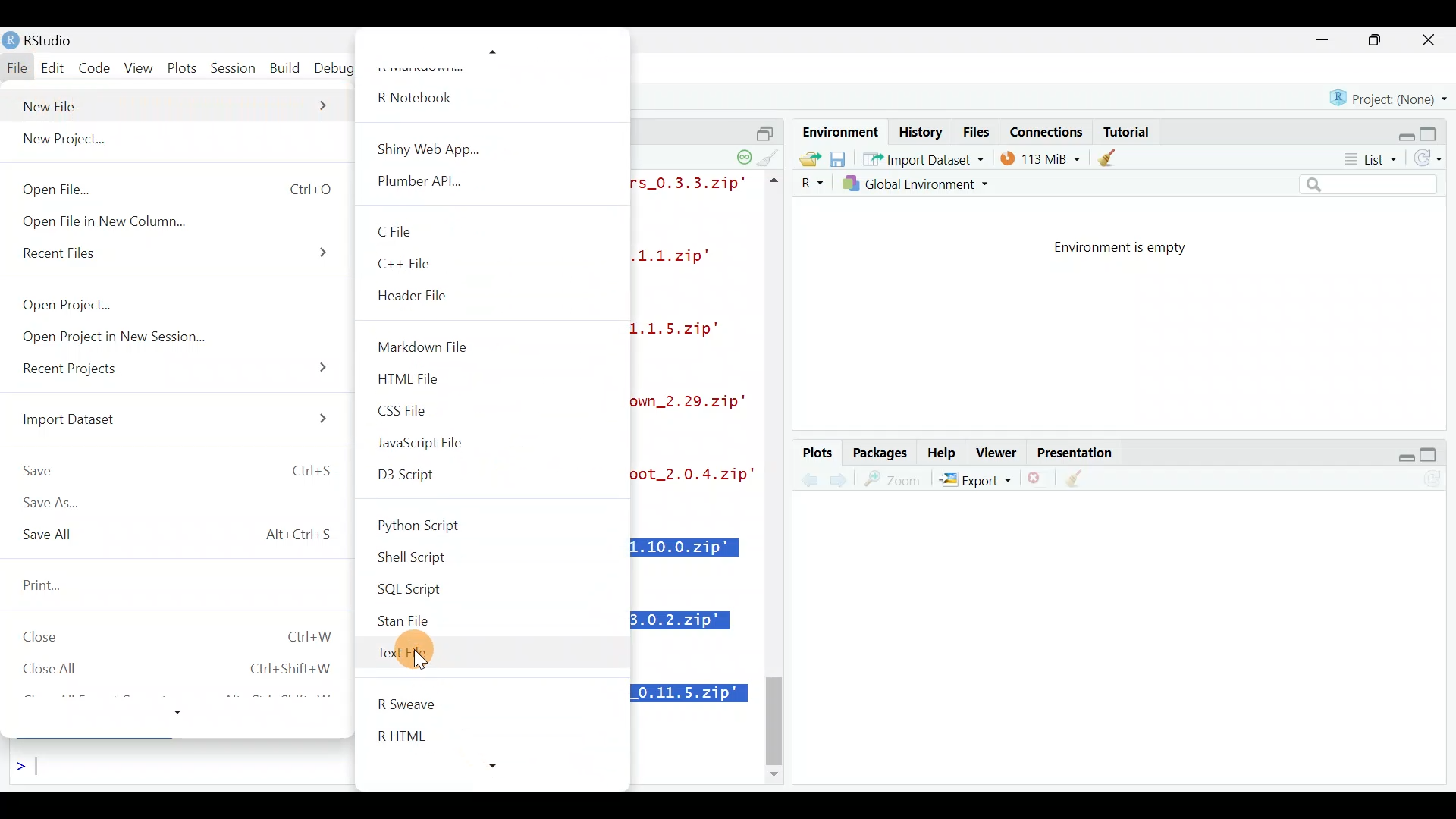  What do you see at coordinates (427, 182) in the screenshot?
I see `Plumber APL...` at bounding box center [427, 182].